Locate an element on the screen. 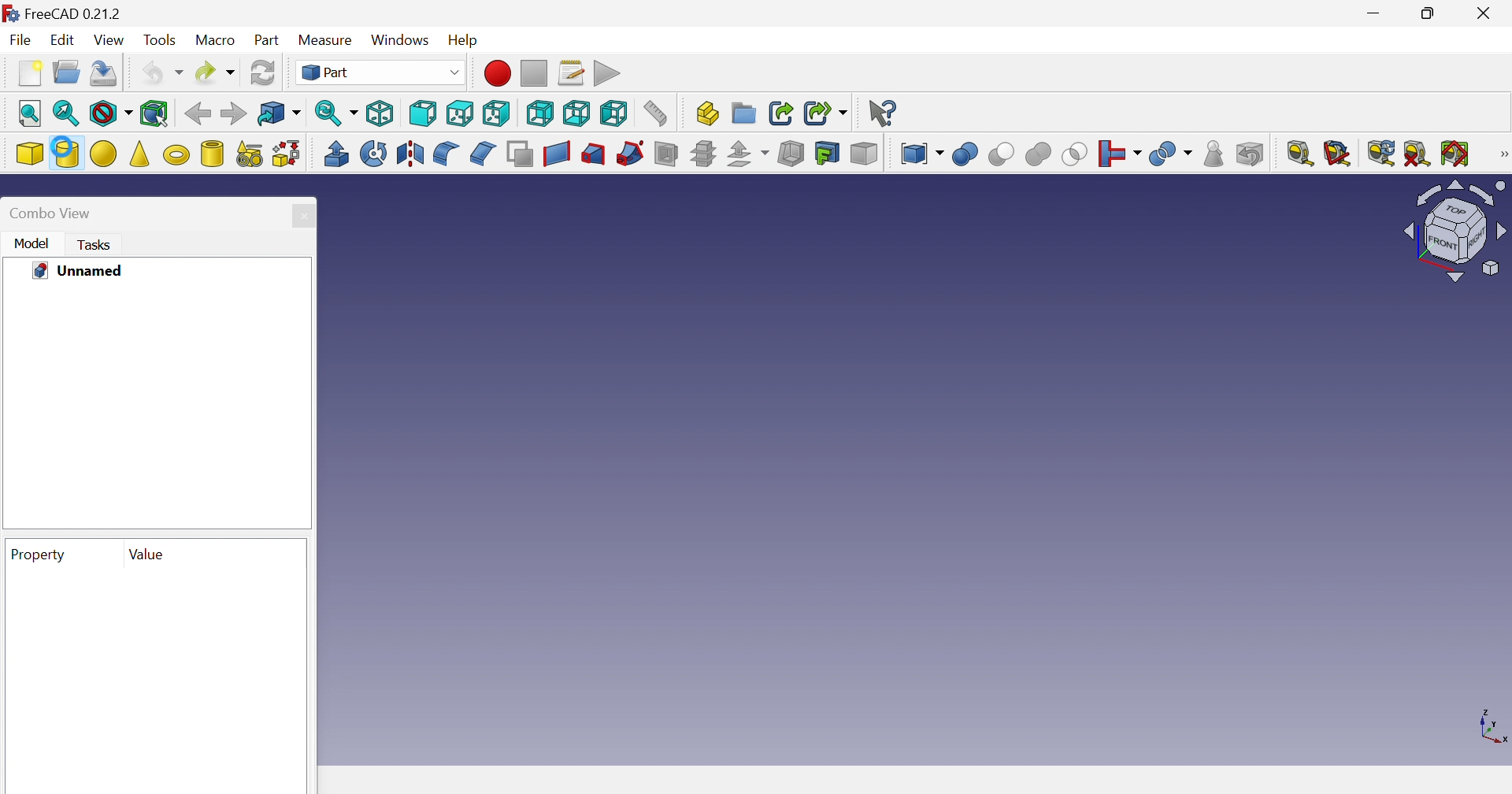 Image resolution: width=1512 pixels, height=794 pixels. Part is located at coordinates (268, 42).